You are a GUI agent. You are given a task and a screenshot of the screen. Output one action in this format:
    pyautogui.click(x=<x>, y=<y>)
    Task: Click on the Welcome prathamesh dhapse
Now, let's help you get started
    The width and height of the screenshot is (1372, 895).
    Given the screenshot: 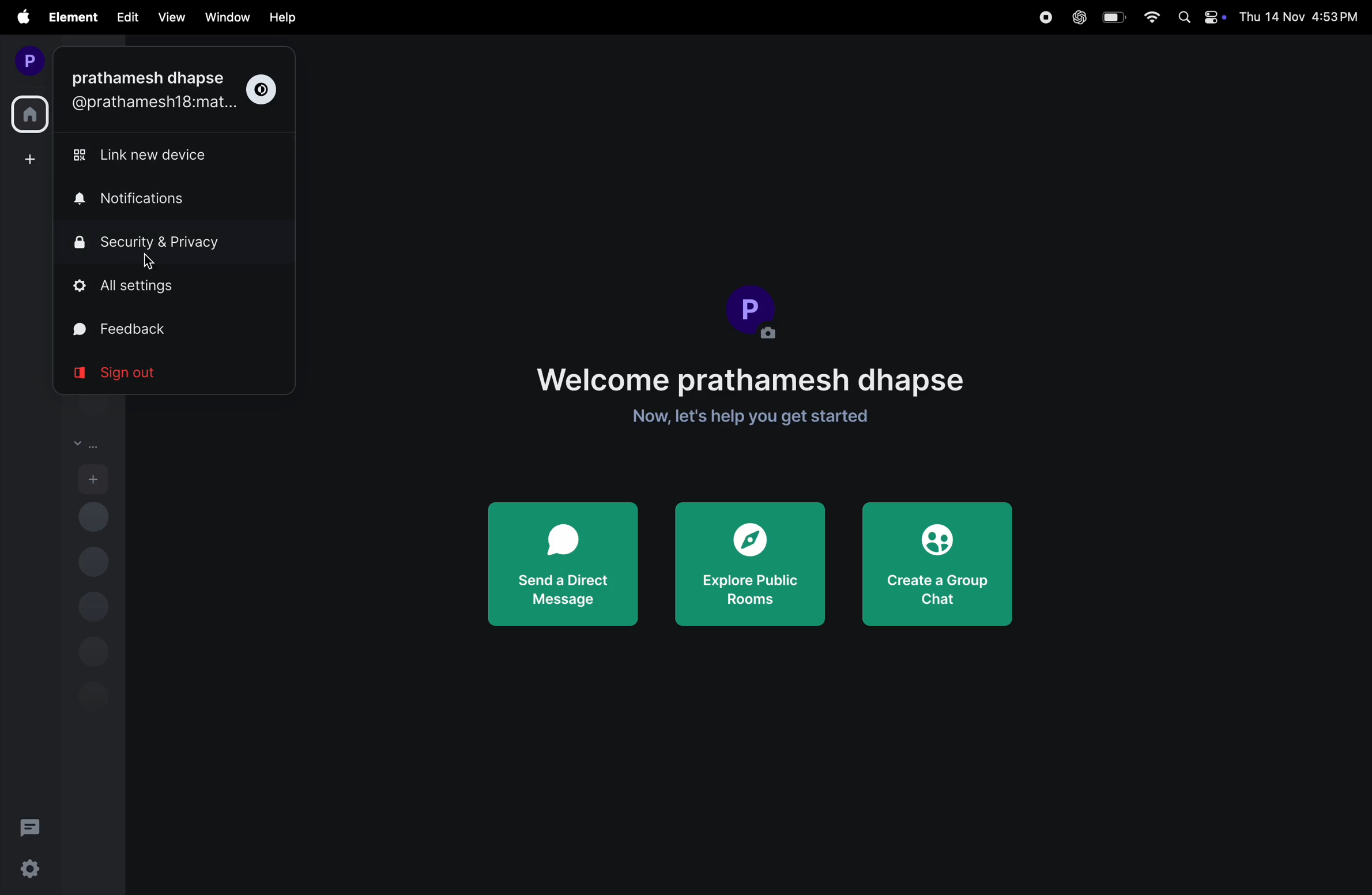 What is the action you would take?
    pyautogui.click(x=752, y=400)
    